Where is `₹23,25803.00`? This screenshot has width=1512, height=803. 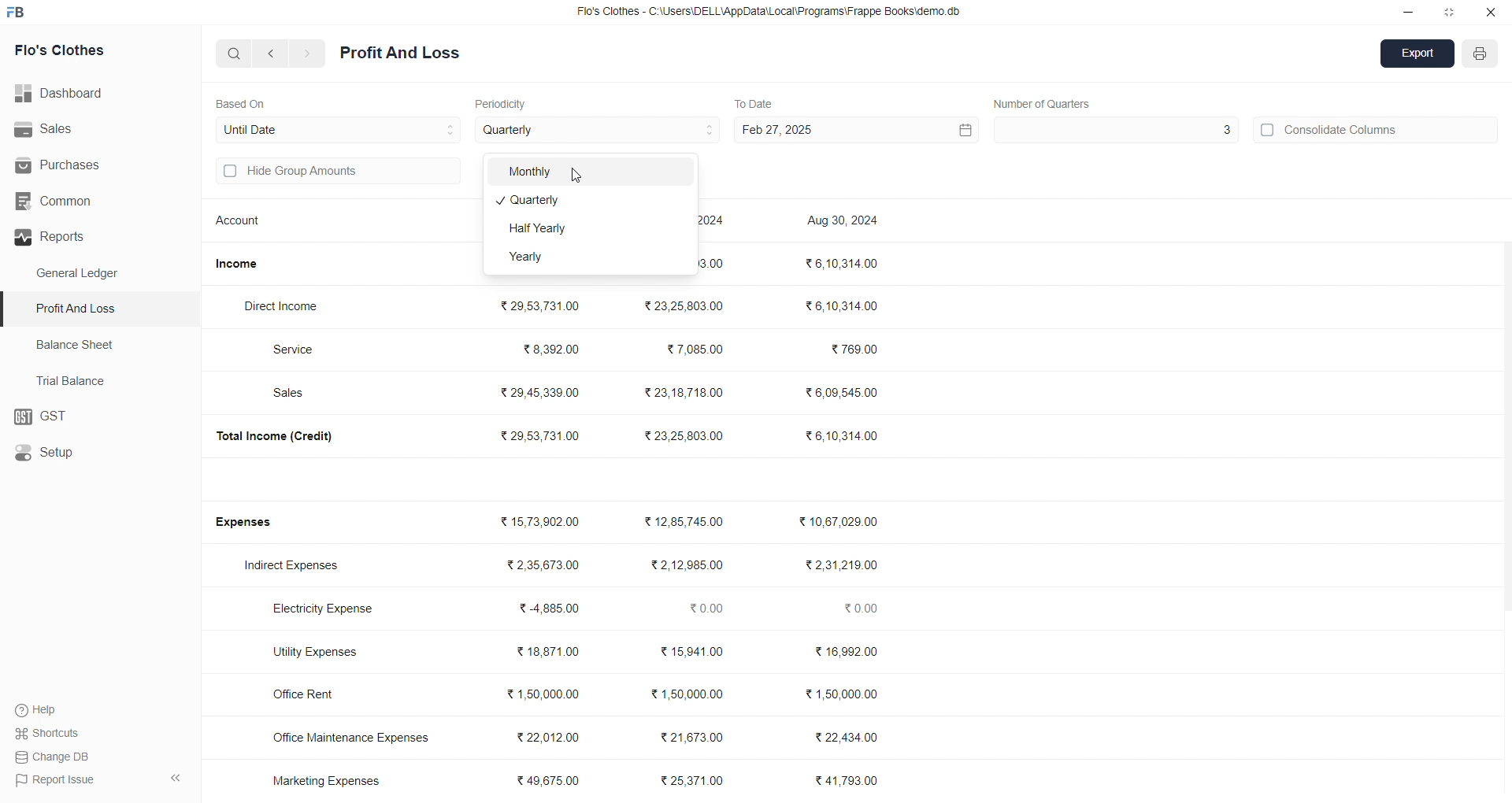
₹23,25803.00 is located at coordinates (714, 263).